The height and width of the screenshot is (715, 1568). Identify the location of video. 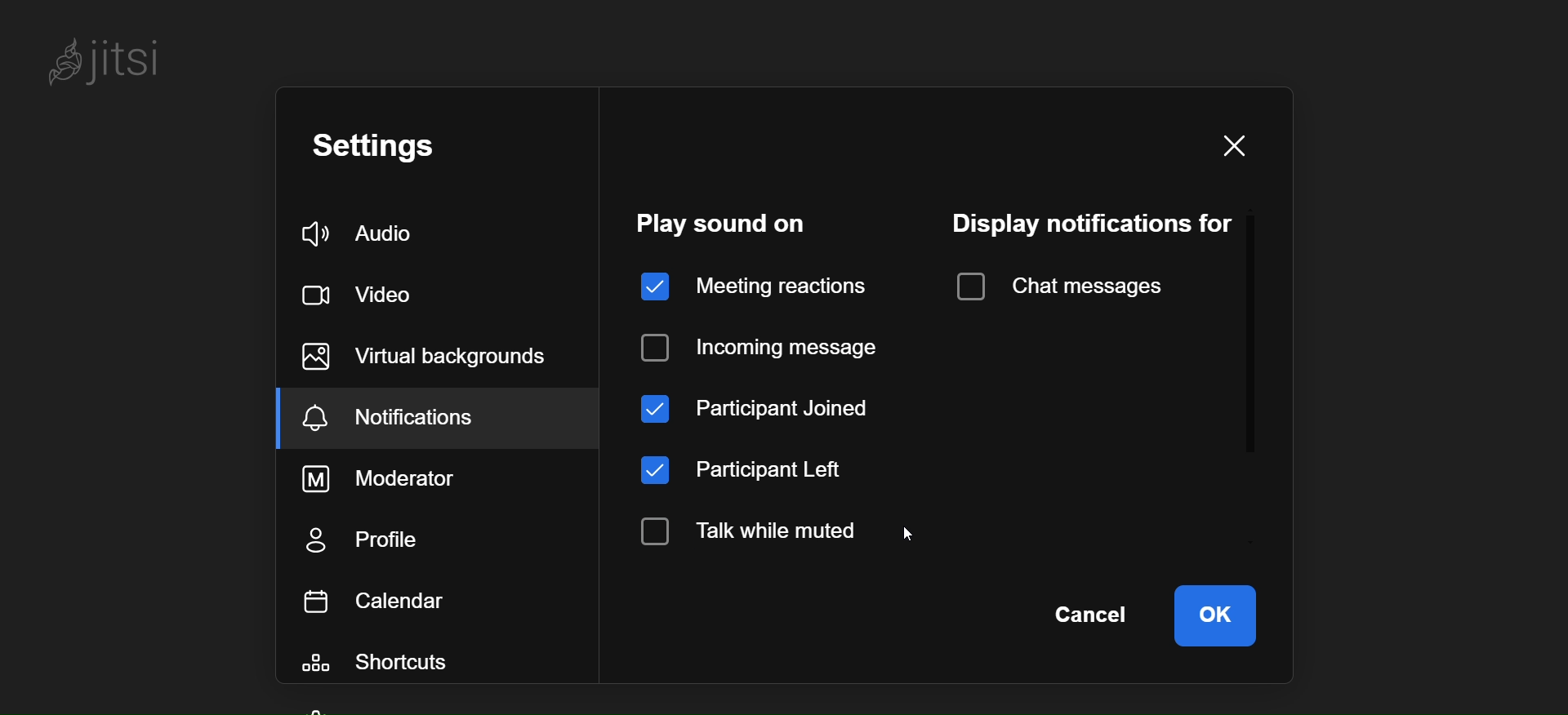
(368, 294).